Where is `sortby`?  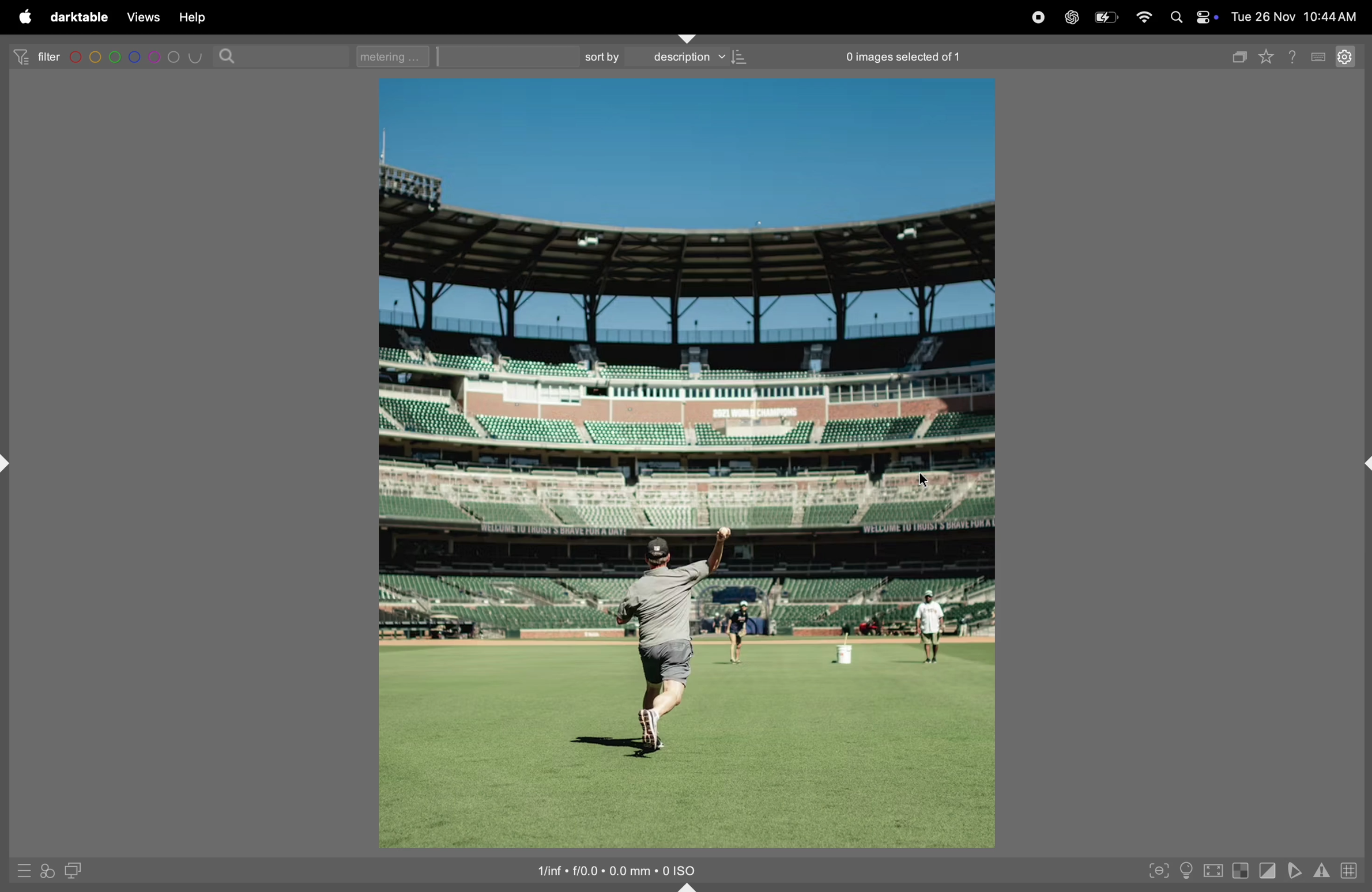
sortby is located at coordinates (599, 56).